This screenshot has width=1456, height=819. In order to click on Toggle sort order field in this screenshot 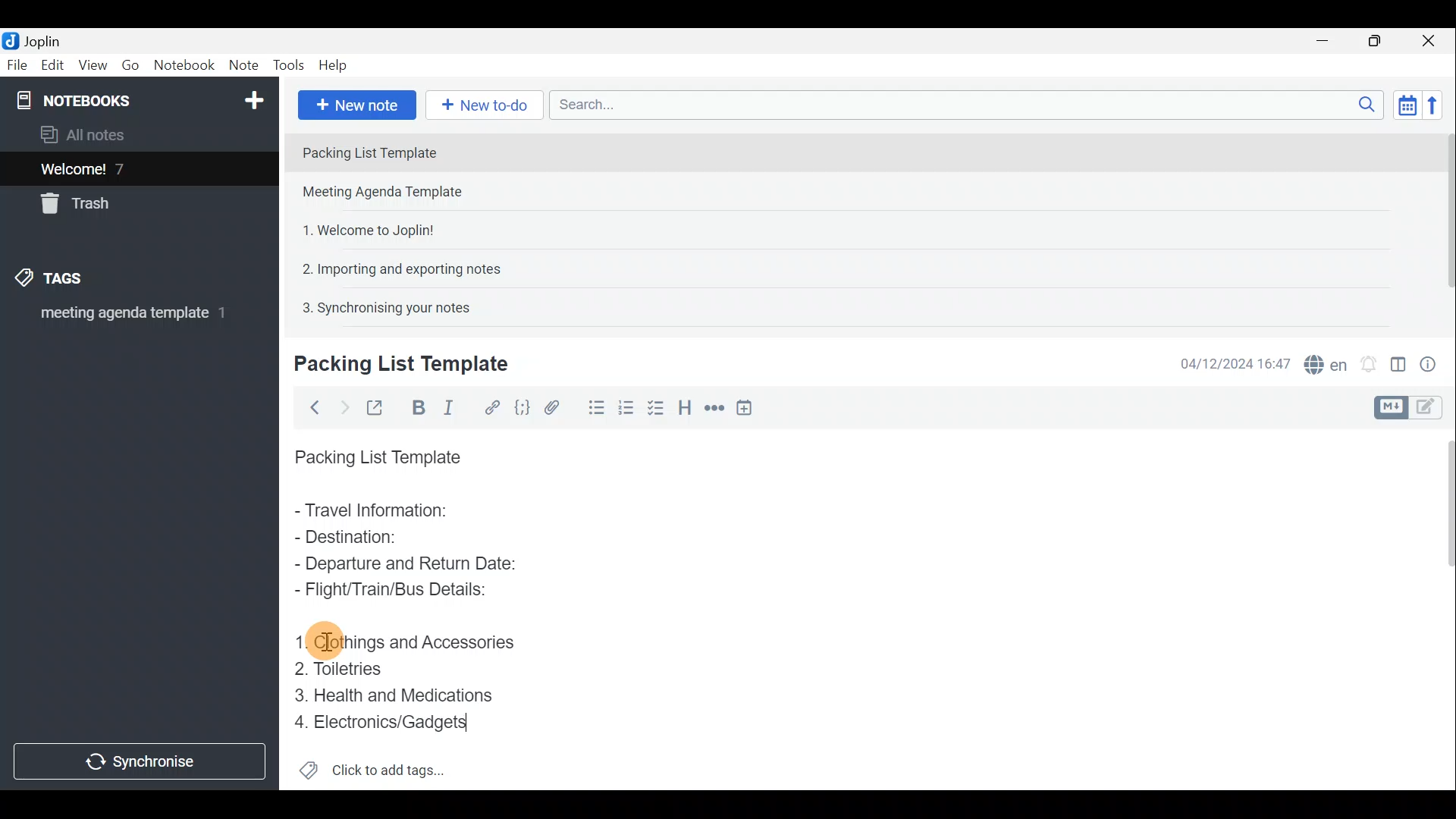, I will do `click(1402, 105)`.